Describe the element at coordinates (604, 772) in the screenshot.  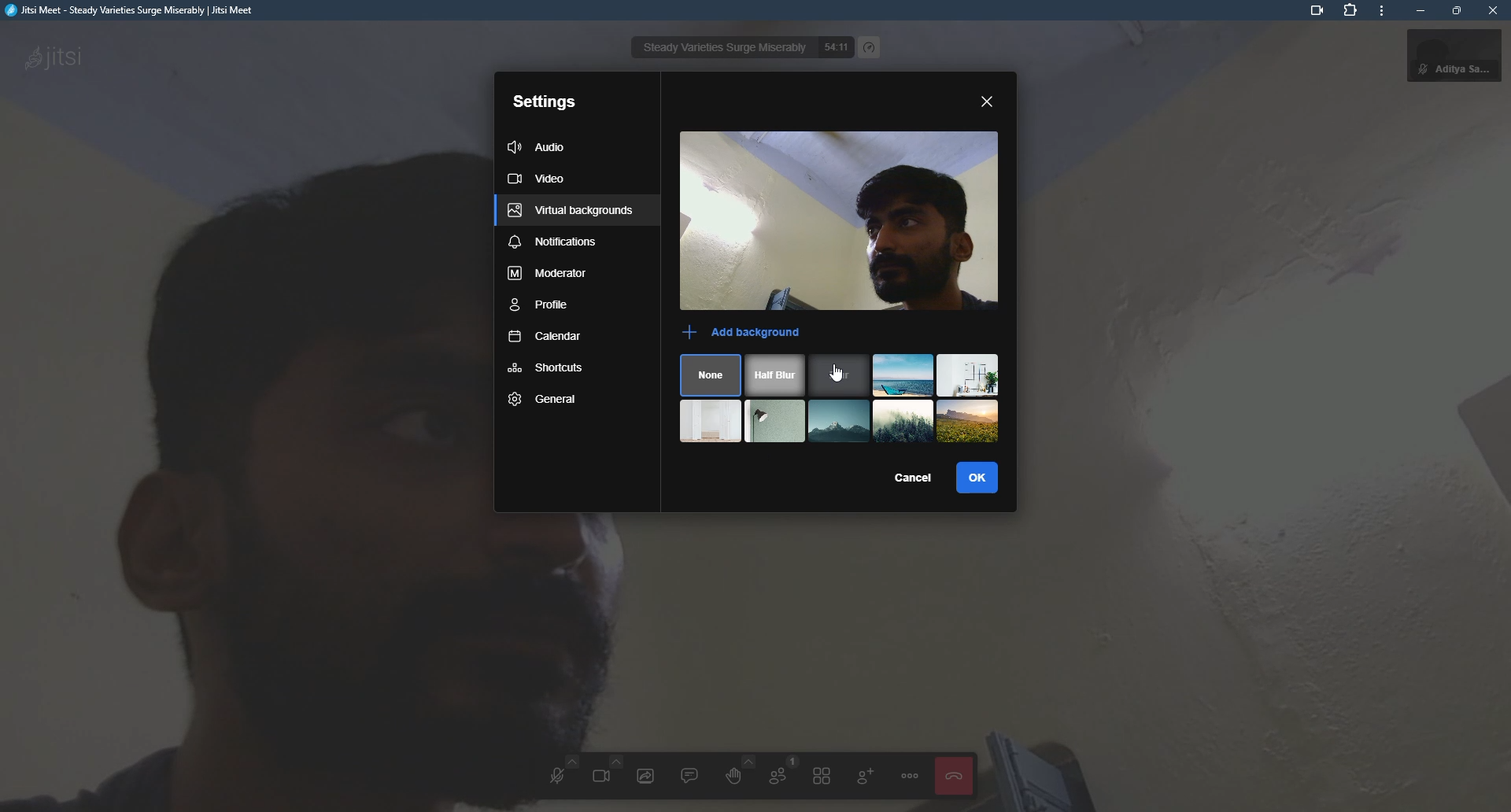
I see `start camera` at that location.